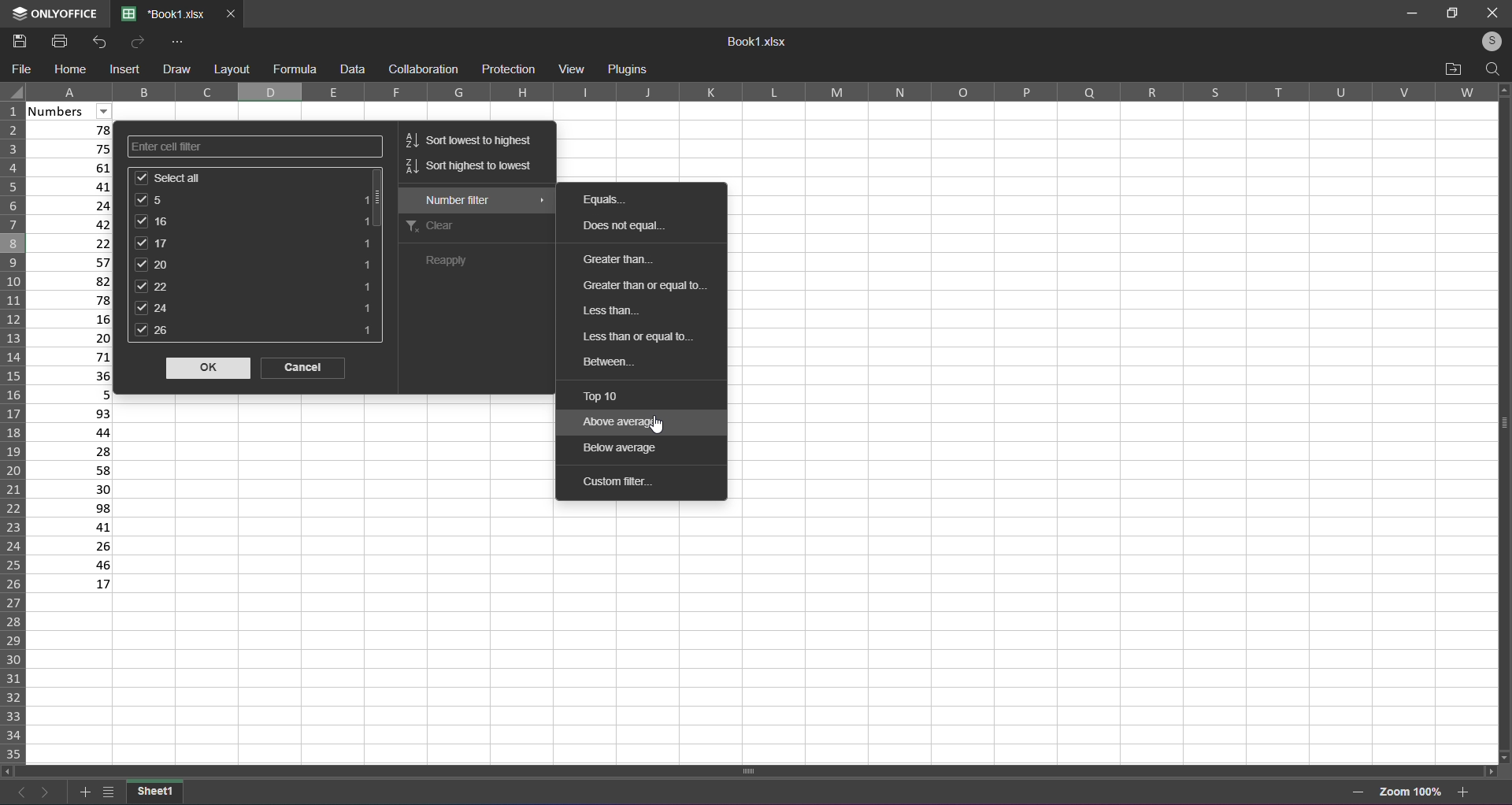 The image size is (1512, 805). Describe the element at coordinates (252, 177) in the screenshot. I see `Select all` at that location.